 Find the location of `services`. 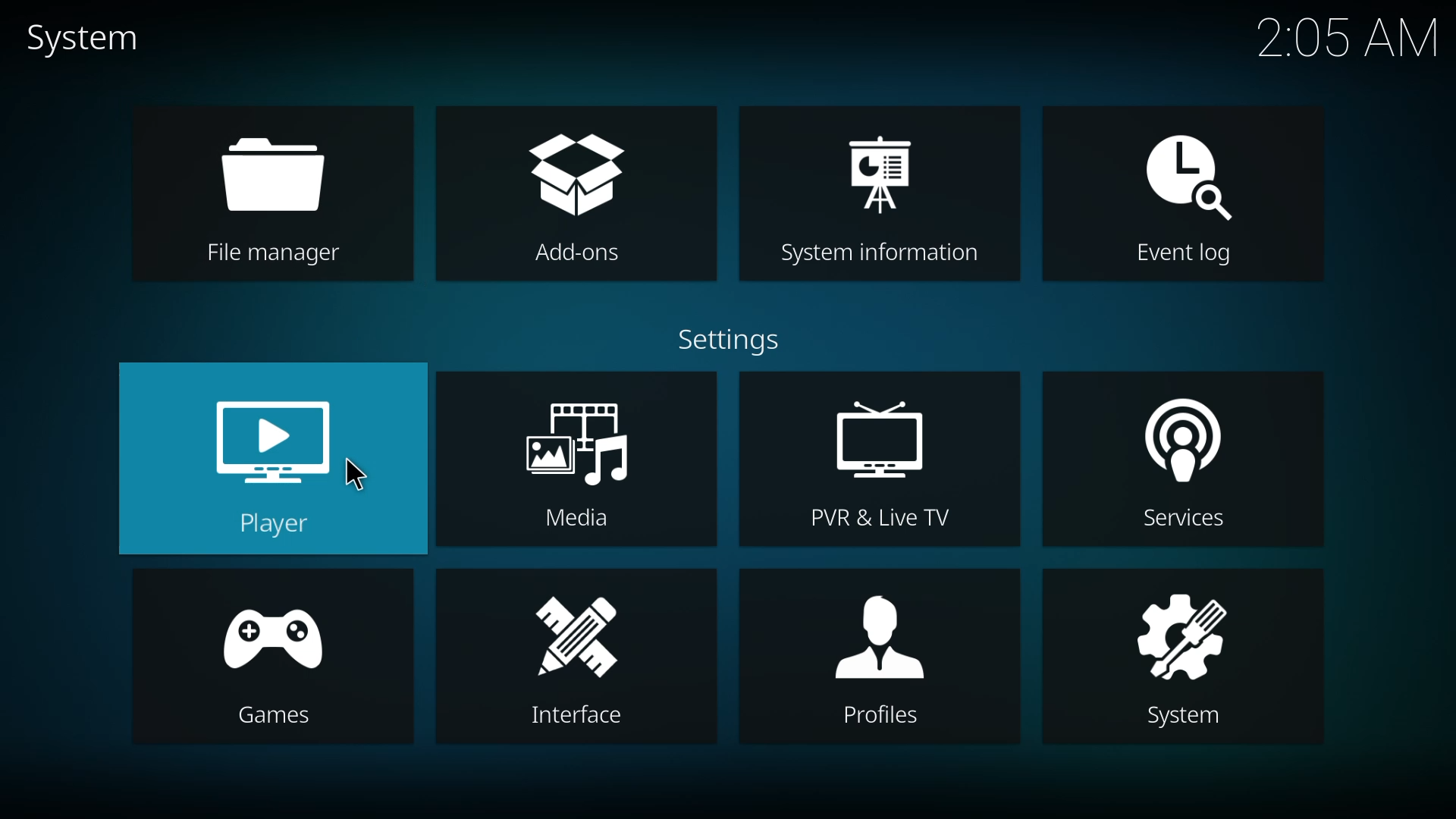

services is located at coordinates (1179, 462).